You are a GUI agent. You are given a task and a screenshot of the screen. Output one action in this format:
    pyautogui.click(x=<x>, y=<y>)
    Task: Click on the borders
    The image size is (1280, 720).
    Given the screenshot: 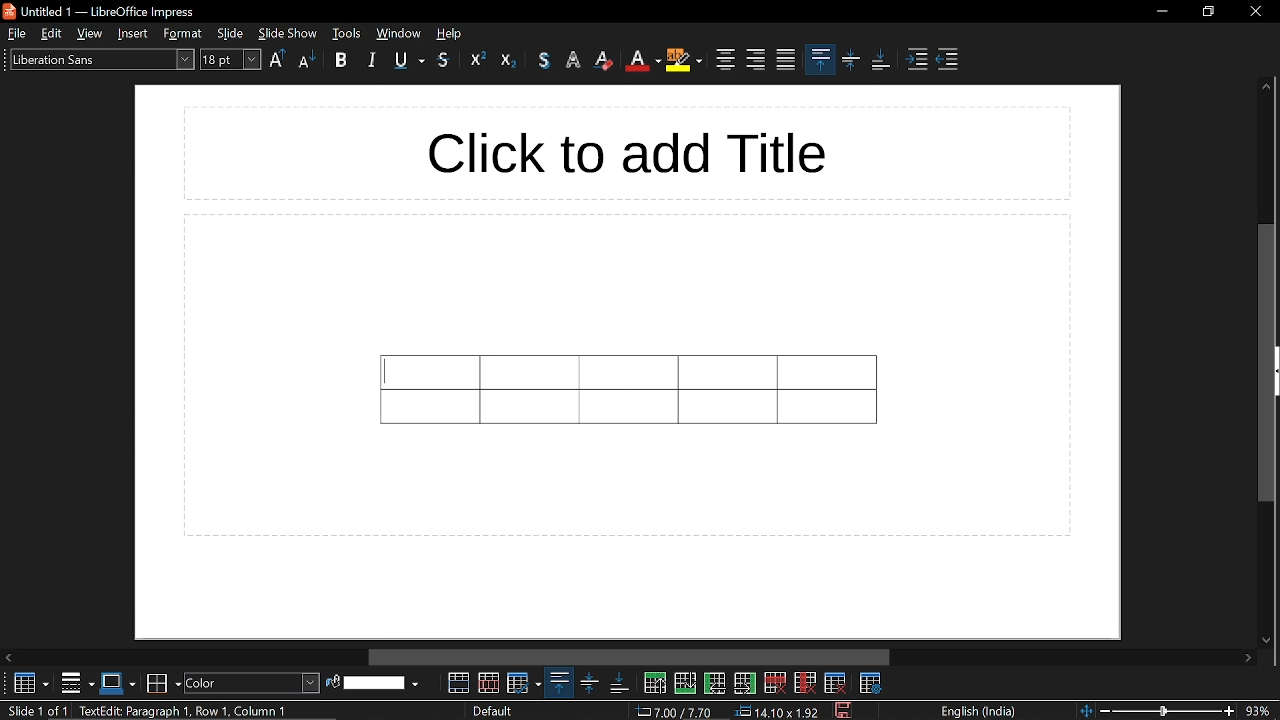 What is the action you would take?
    pyautogui.click(x=78, y=683)
    